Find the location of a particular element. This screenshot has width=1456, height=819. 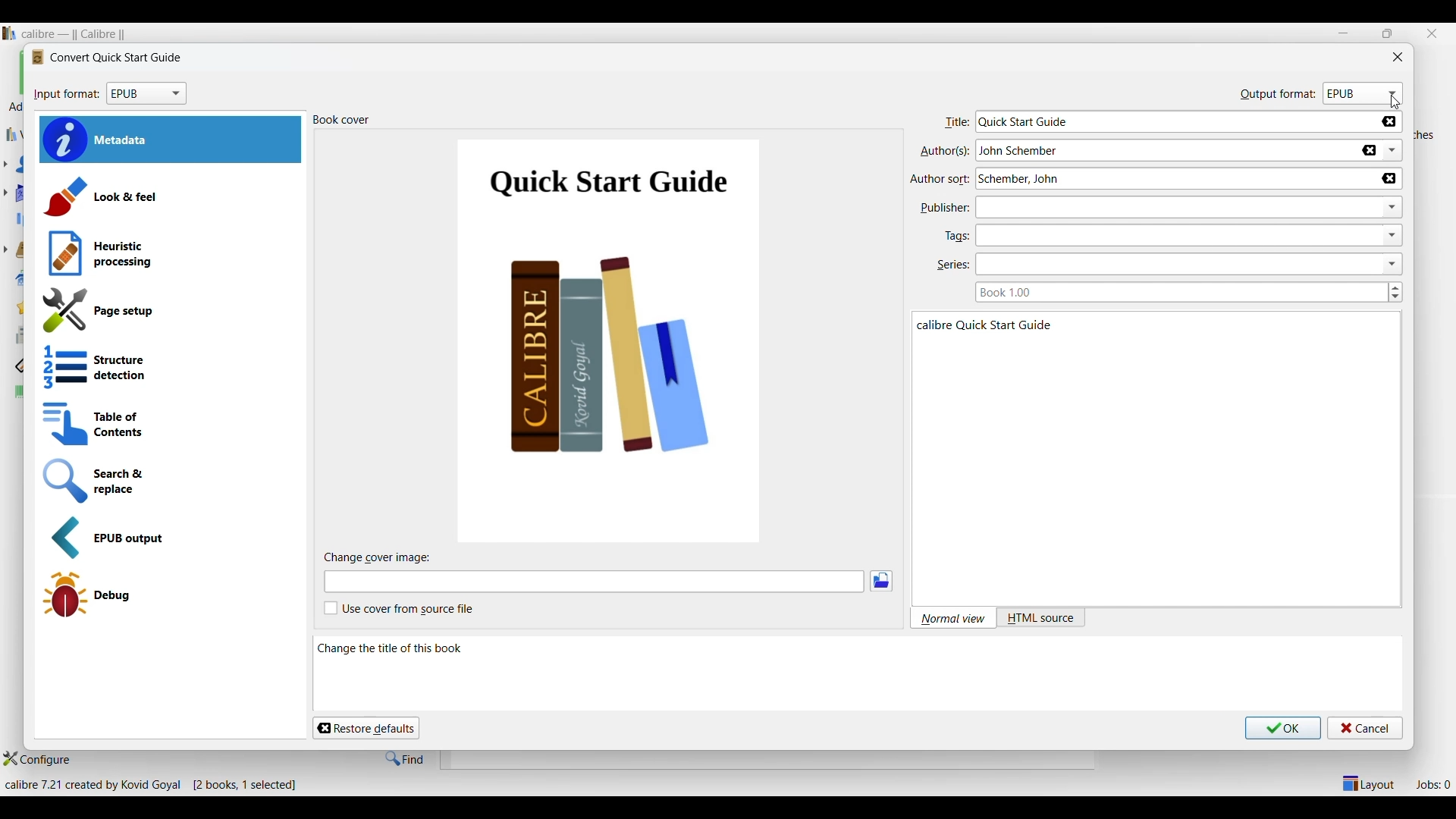

Show/Hide parts of layout is located at coordinates (1367, 783).